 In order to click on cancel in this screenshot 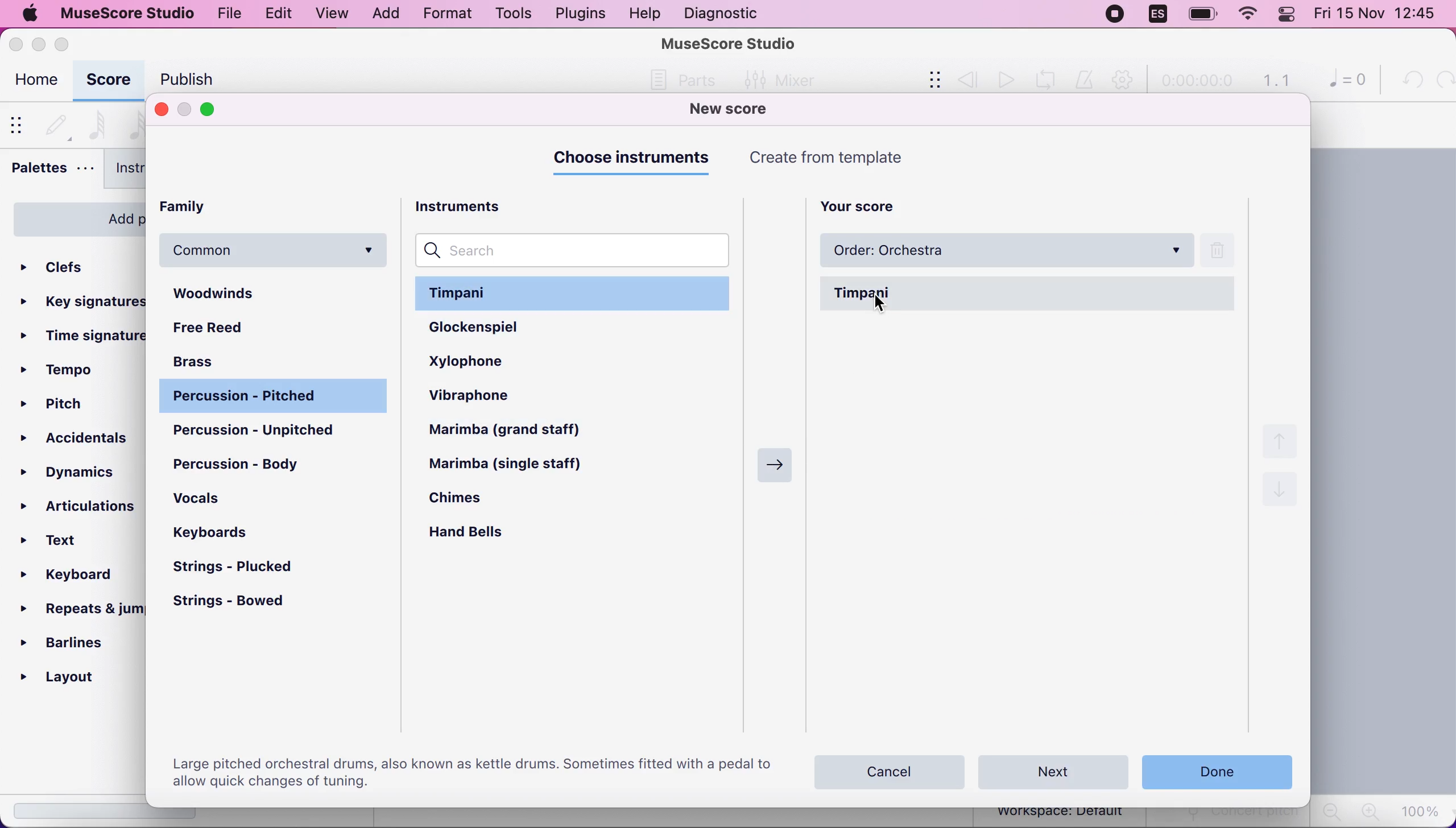, I will do `click(891, 769)`.